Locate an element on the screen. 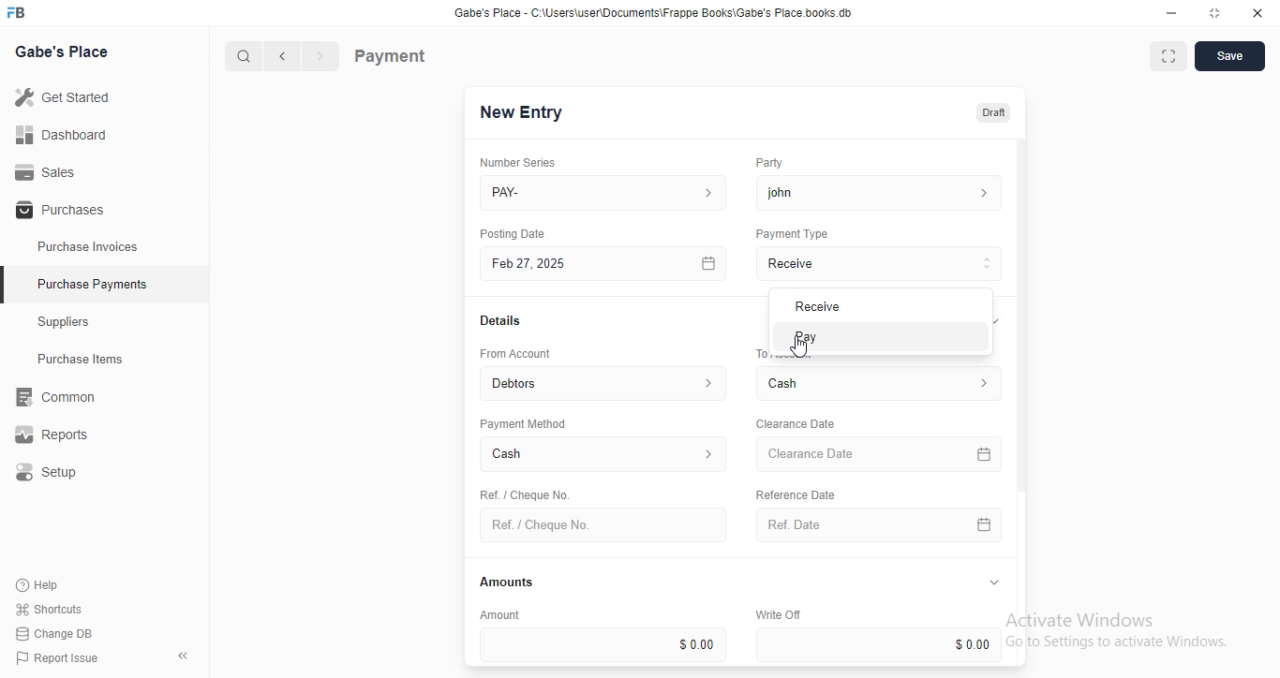 Image resolution: width=1280 pixels, height=678 pixels. Feb 27, 2025 is located at coordinates (606, 264).